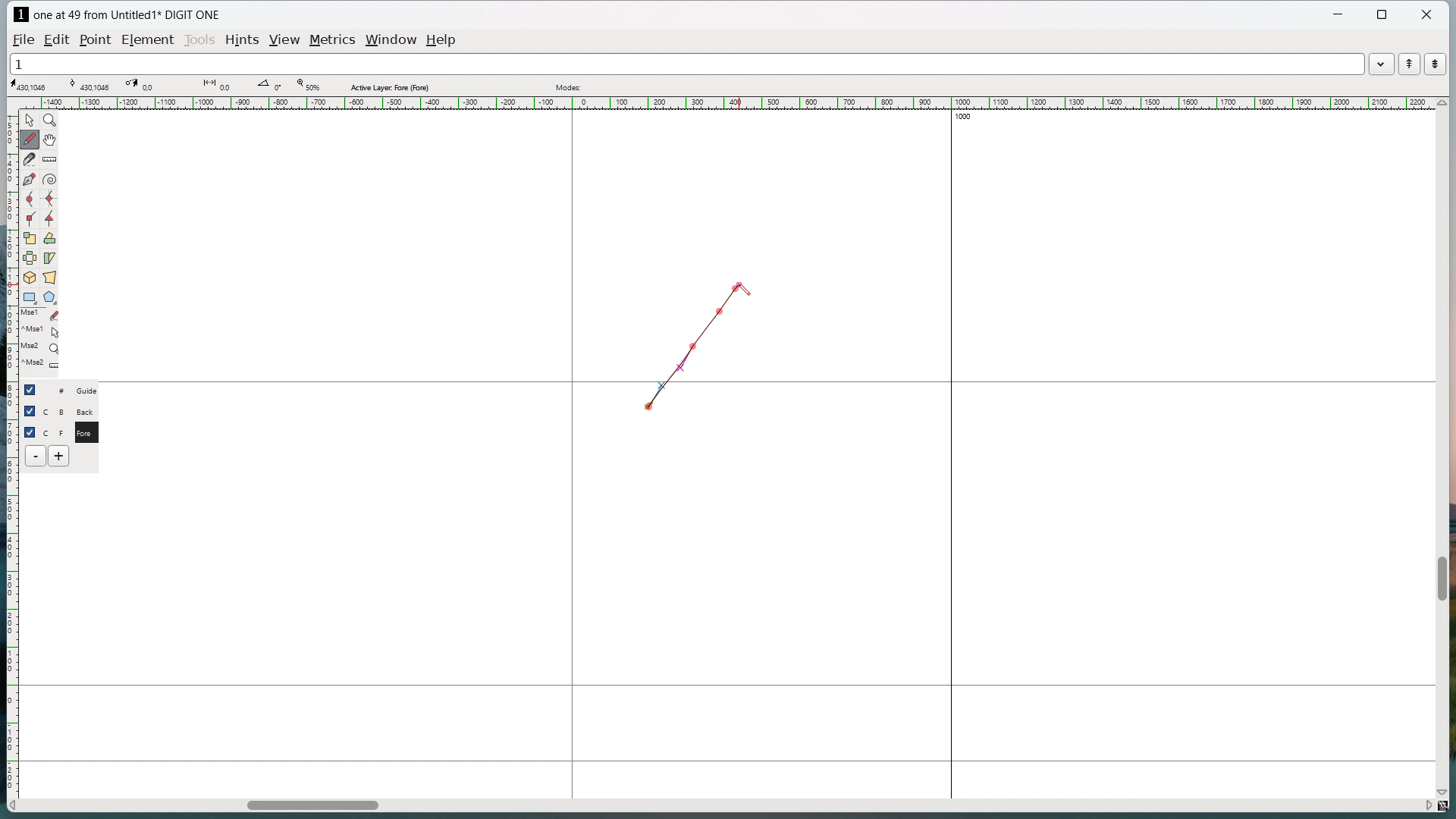 Image resolution: width=1456 pixels, height=819 pixels. What do you see at coordinates (30, 277) in the screenshot?
I see `rotate selection in 3d and project back to the place` at bounding box center [30, 277].